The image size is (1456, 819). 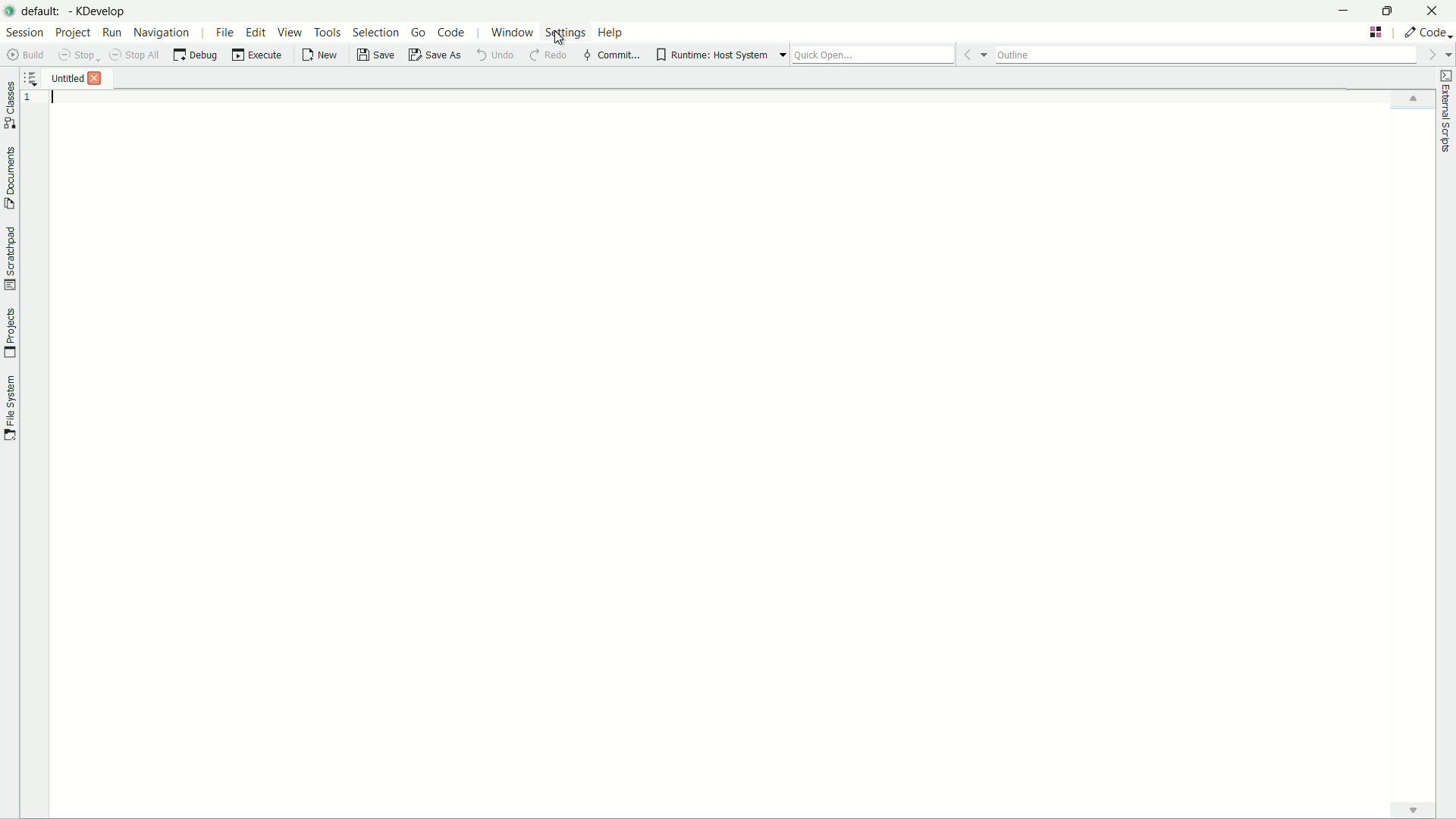 I want to click on runtime host system, so click(x=716, y=55).